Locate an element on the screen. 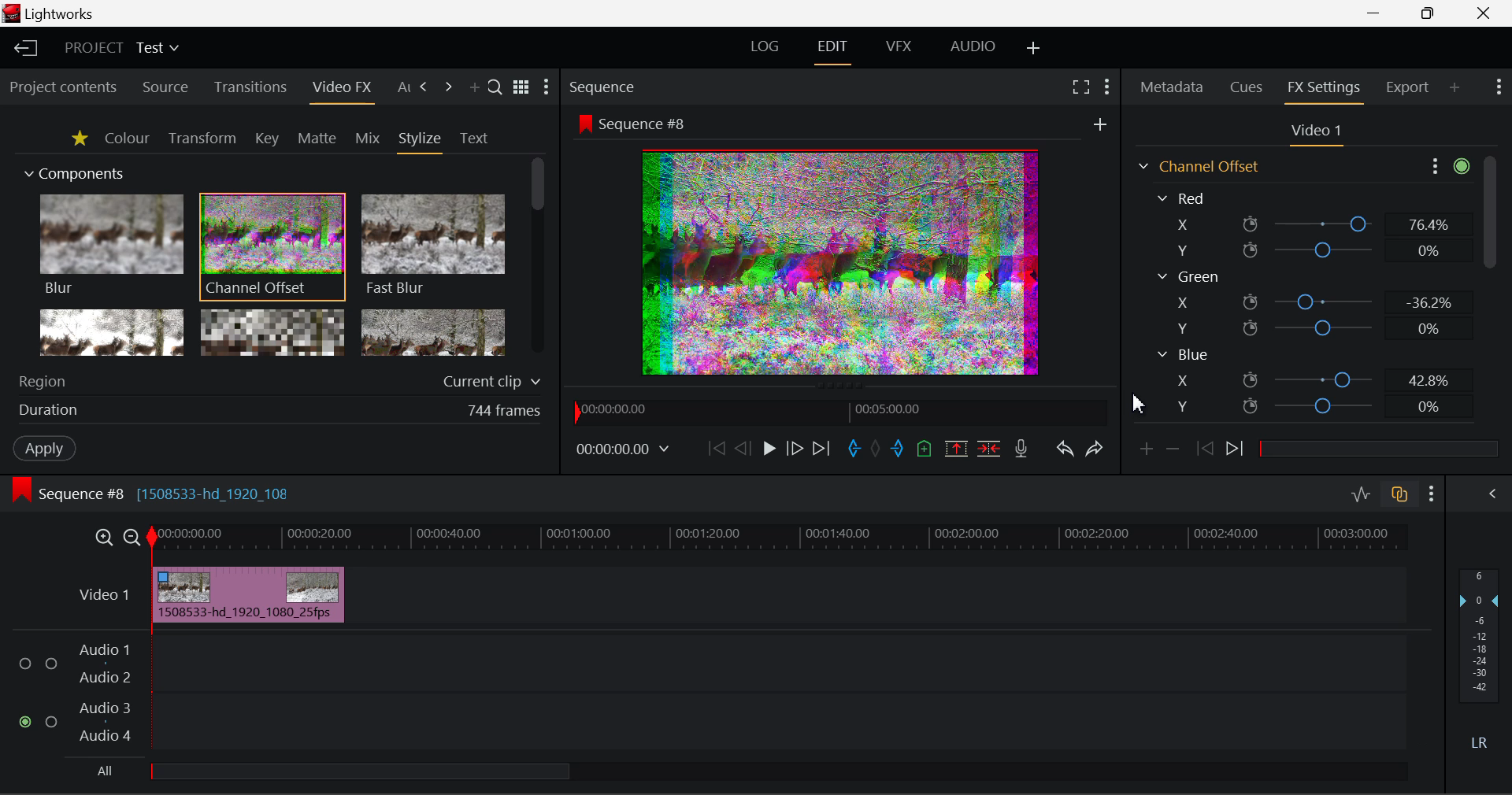 This screenshot has width=1512, height=795. Transitions is located at coordinates (249, 87).